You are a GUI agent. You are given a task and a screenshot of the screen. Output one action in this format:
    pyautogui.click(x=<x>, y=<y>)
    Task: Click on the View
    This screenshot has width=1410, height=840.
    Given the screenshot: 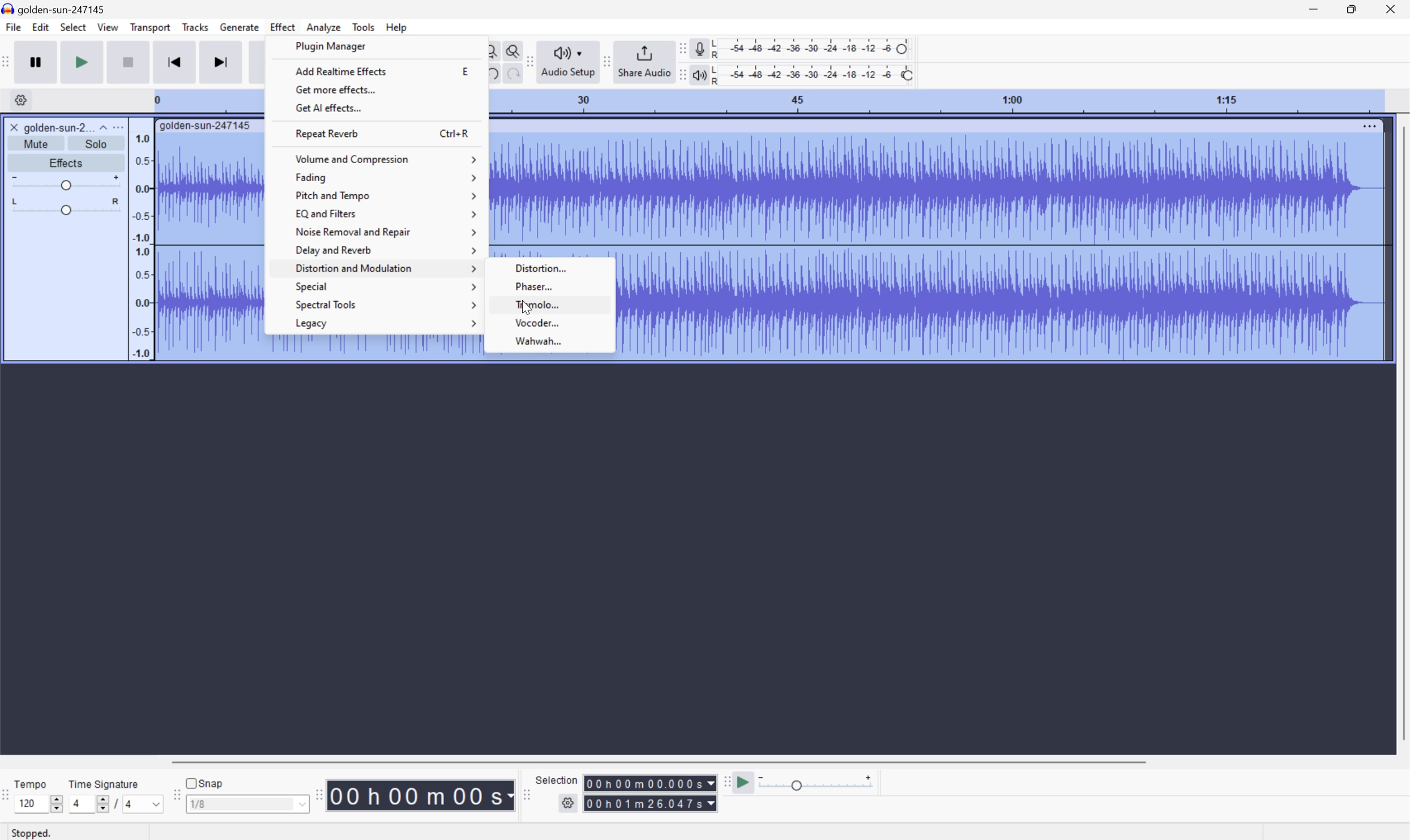 What is the action you would take?
    pyautogui.click(x=109, y=28)
    